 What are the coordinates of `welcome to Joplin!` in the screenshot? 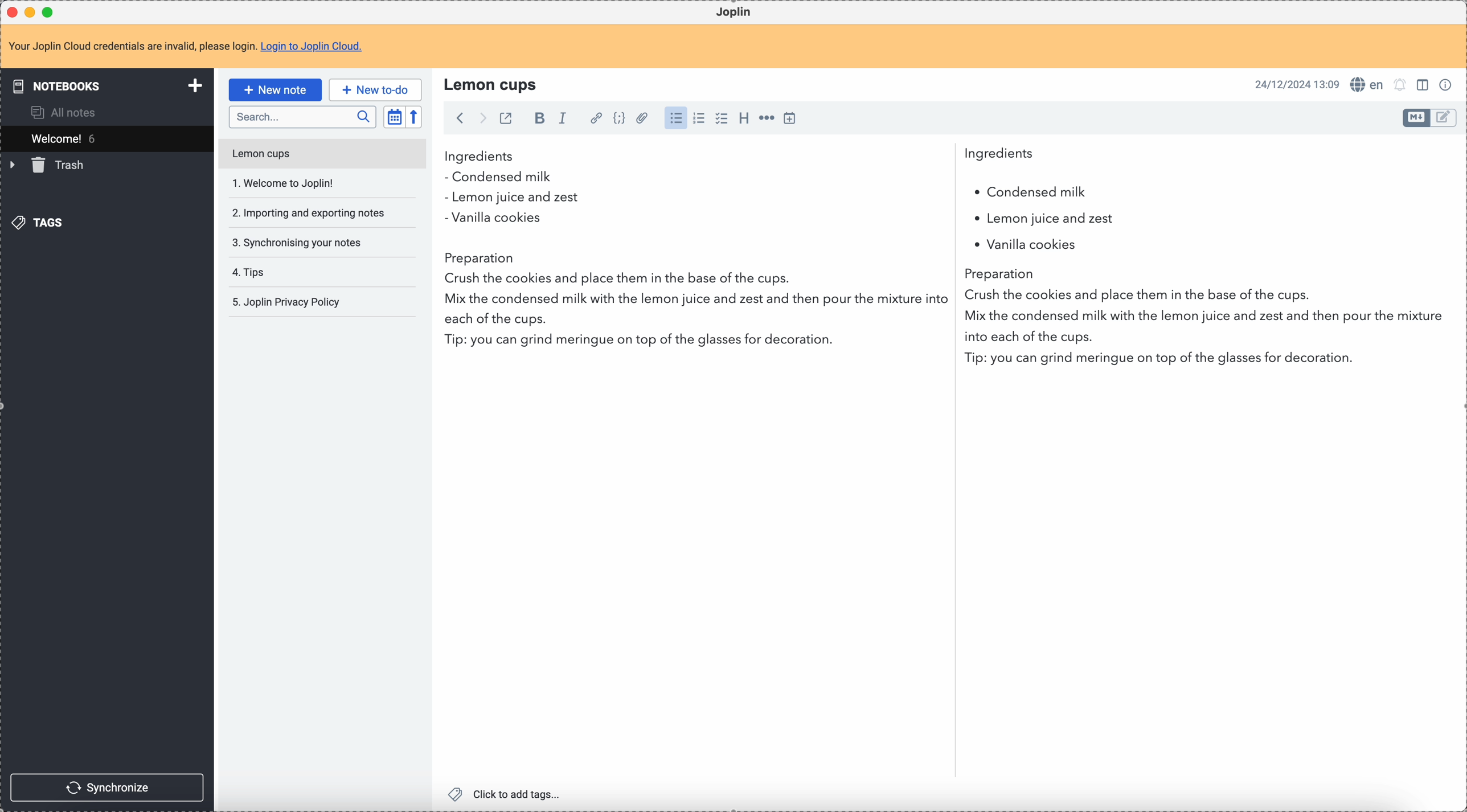 It's located at (284, 183).